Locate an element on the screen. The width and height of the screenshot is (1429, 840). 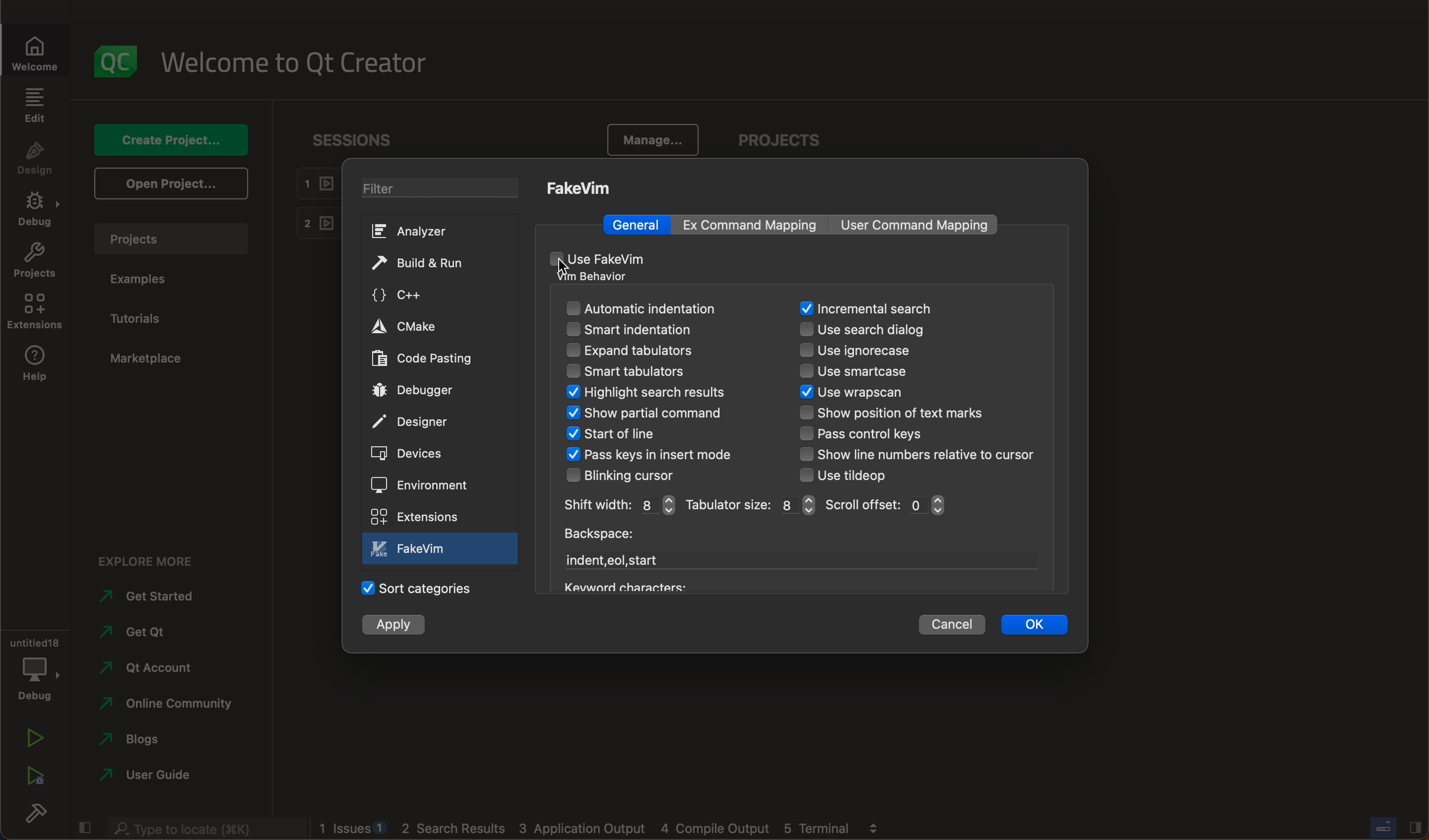
keyword characters is located at coordinates (624, 587).